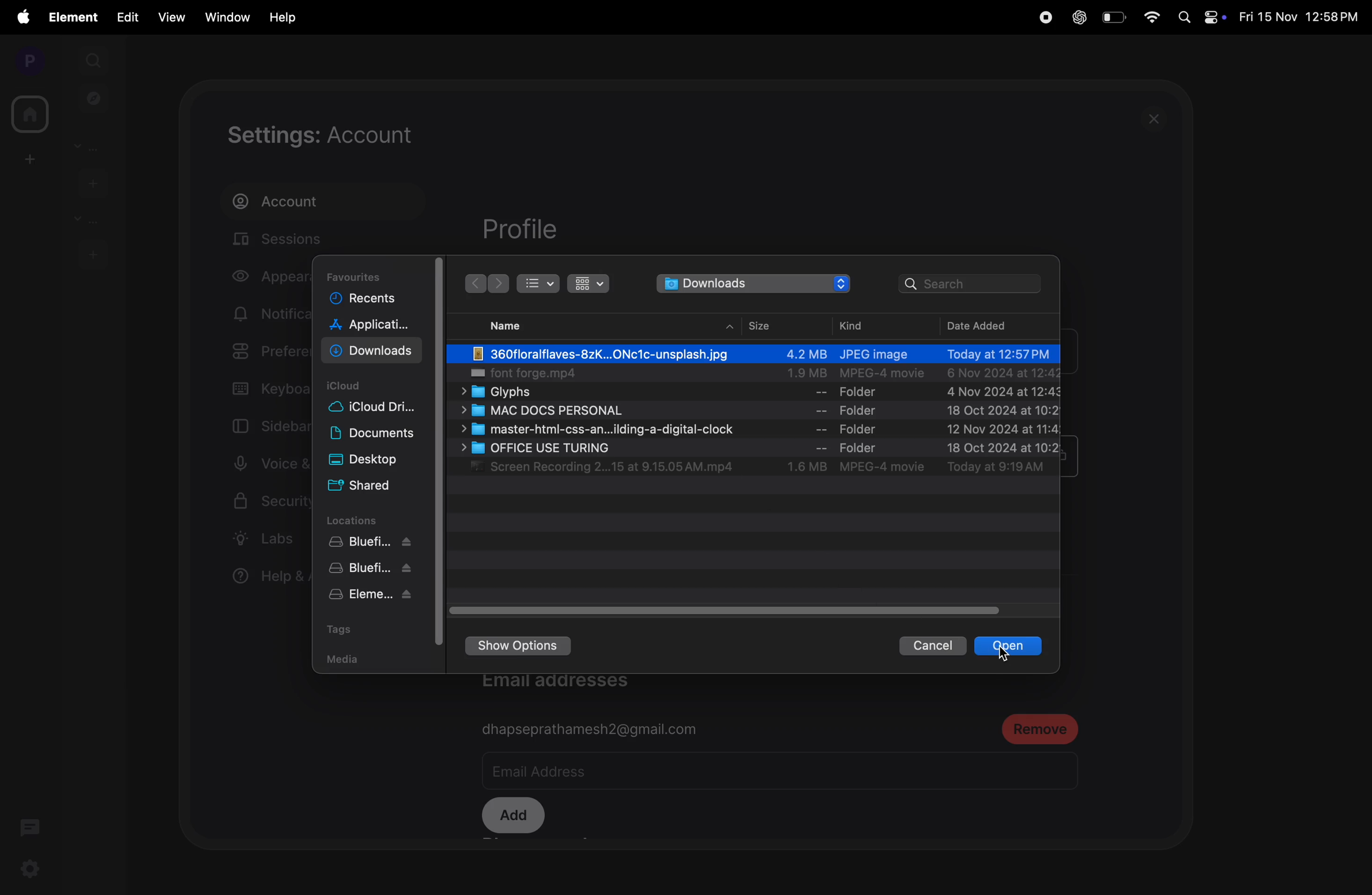 The height and width of the screenshot is (895, 1372). Describe the element at coordinates (25, 60) in the screenshot. I see `profile` at that location.